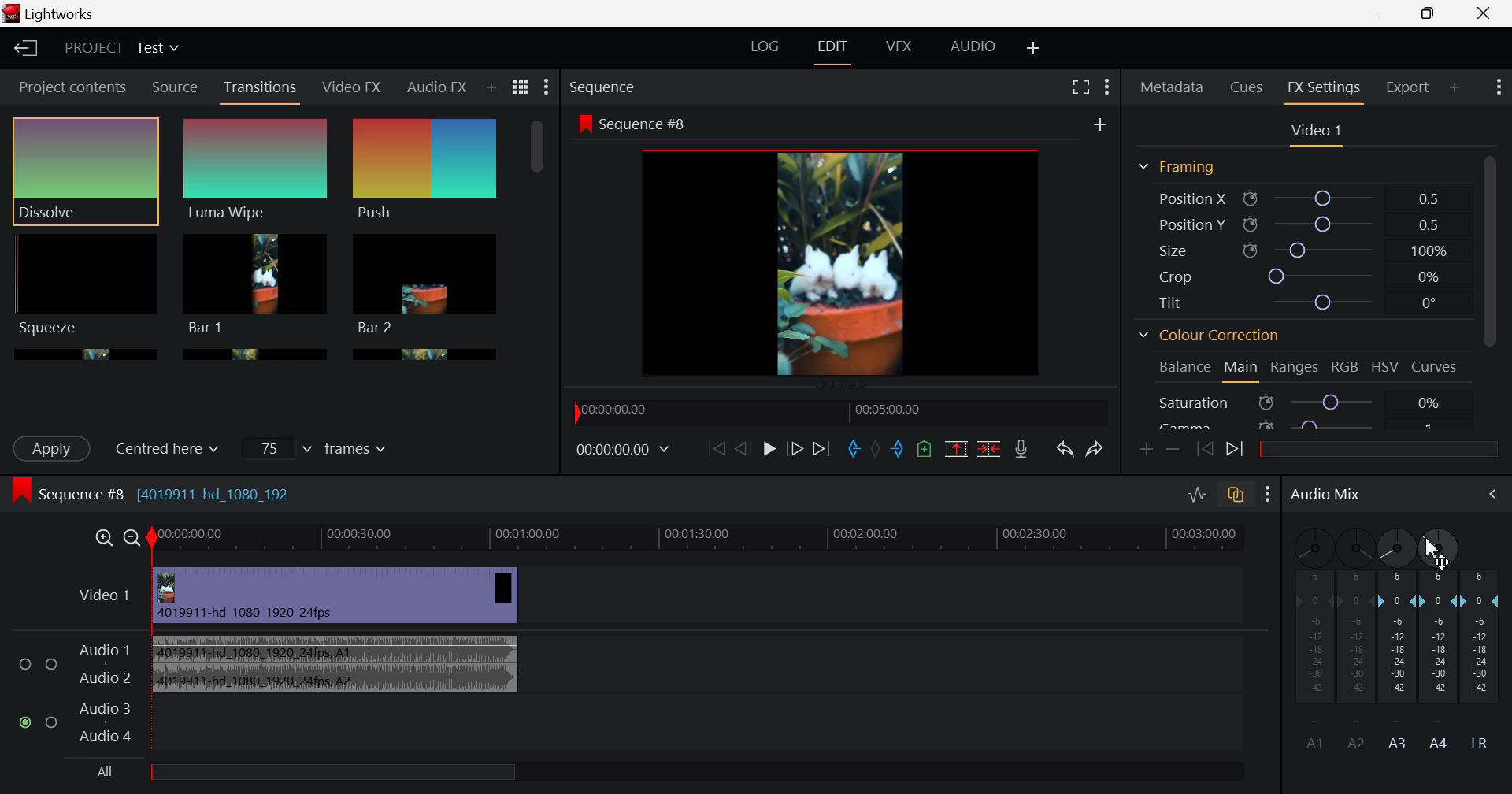 This screenshot has width=1512, height=794. Describe the element at coordinates (1242, 369) in the screenshot. I see `Main Tab Open` at that location.